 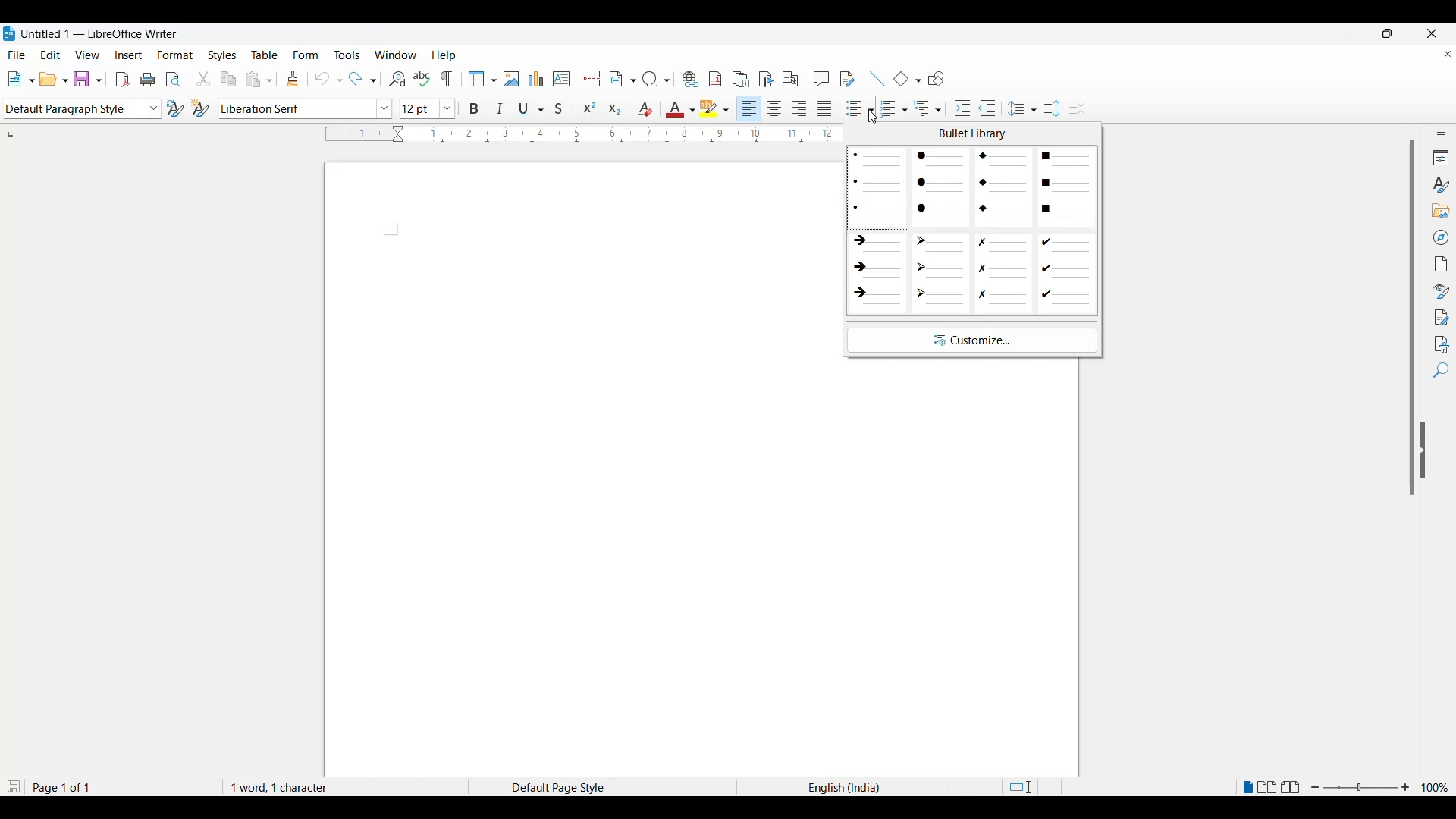 What do you see at coordinates (1436, 786) in the screenshot?
I see `100%` at bounding box center [1436, 786].